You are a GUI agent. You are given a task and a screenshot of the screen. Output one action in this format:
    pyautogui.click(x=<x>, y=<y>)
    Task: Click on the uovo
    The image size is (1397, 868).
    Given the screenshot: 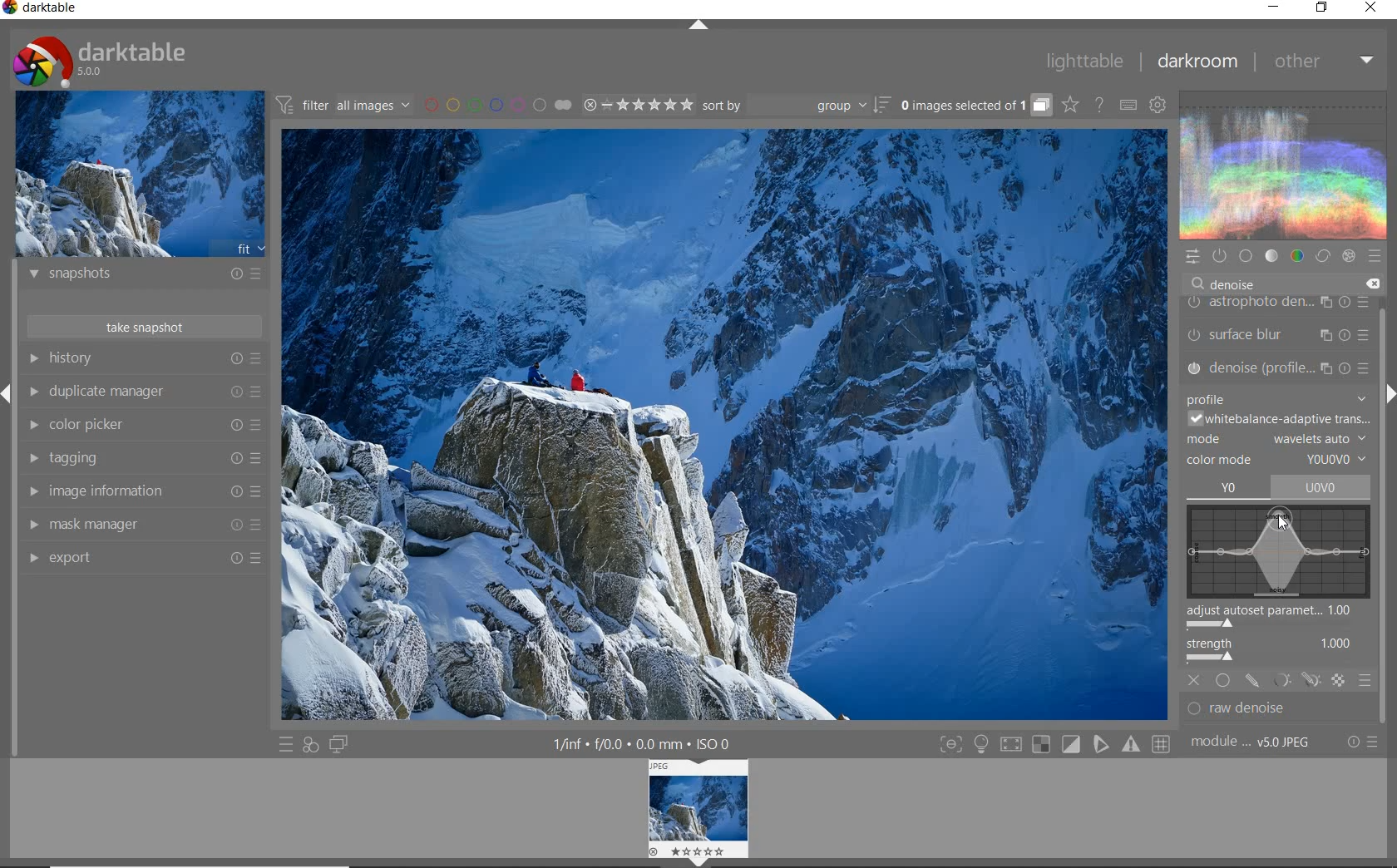 What is the action you would take?
    pyautogui.click(x=1324, y=486)
    